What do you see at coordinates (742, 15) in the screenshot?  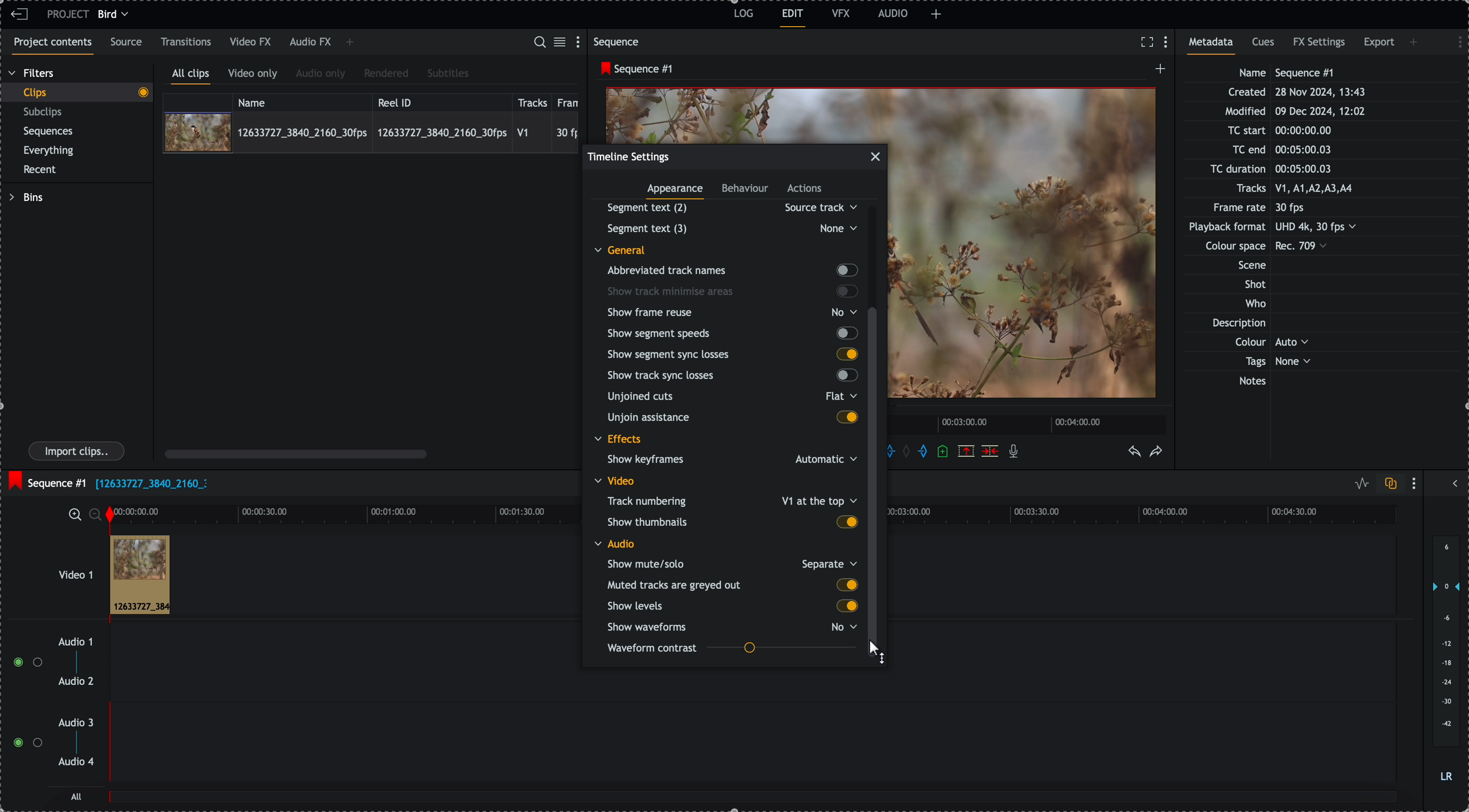 I see `log` at bounding box center [742, 15].